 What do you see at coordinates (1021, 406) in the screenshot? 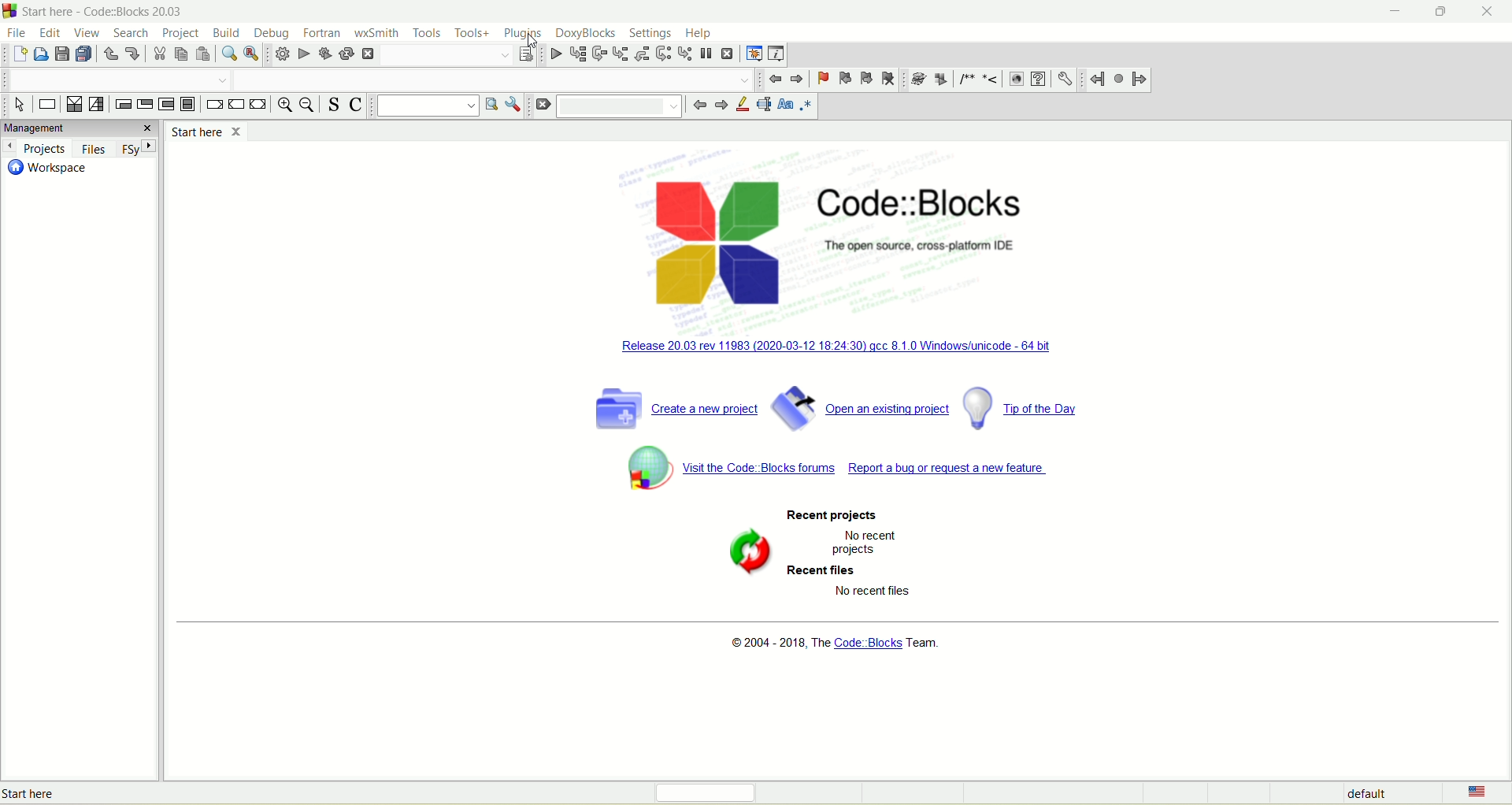
I see `tip of the day` at bounding box center [1021, 406].